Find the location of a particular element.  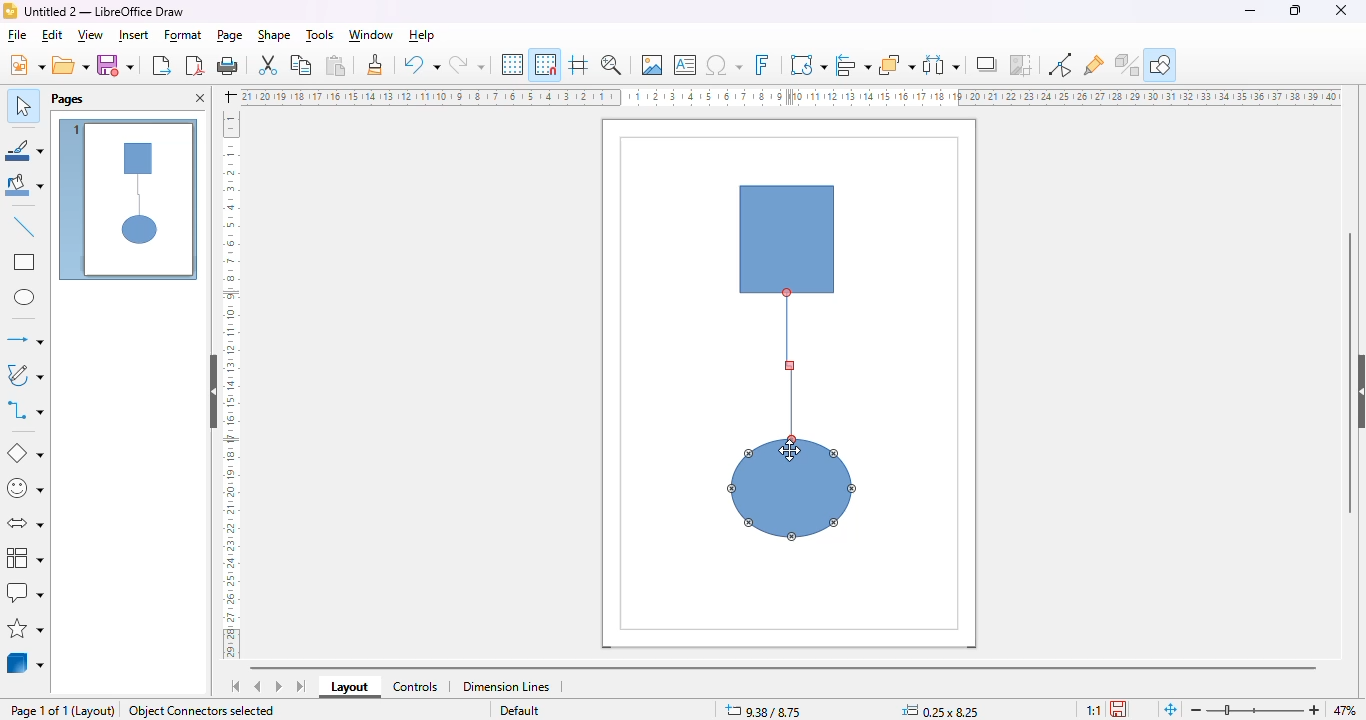

basic shapes is located at coordinates (26, 454).